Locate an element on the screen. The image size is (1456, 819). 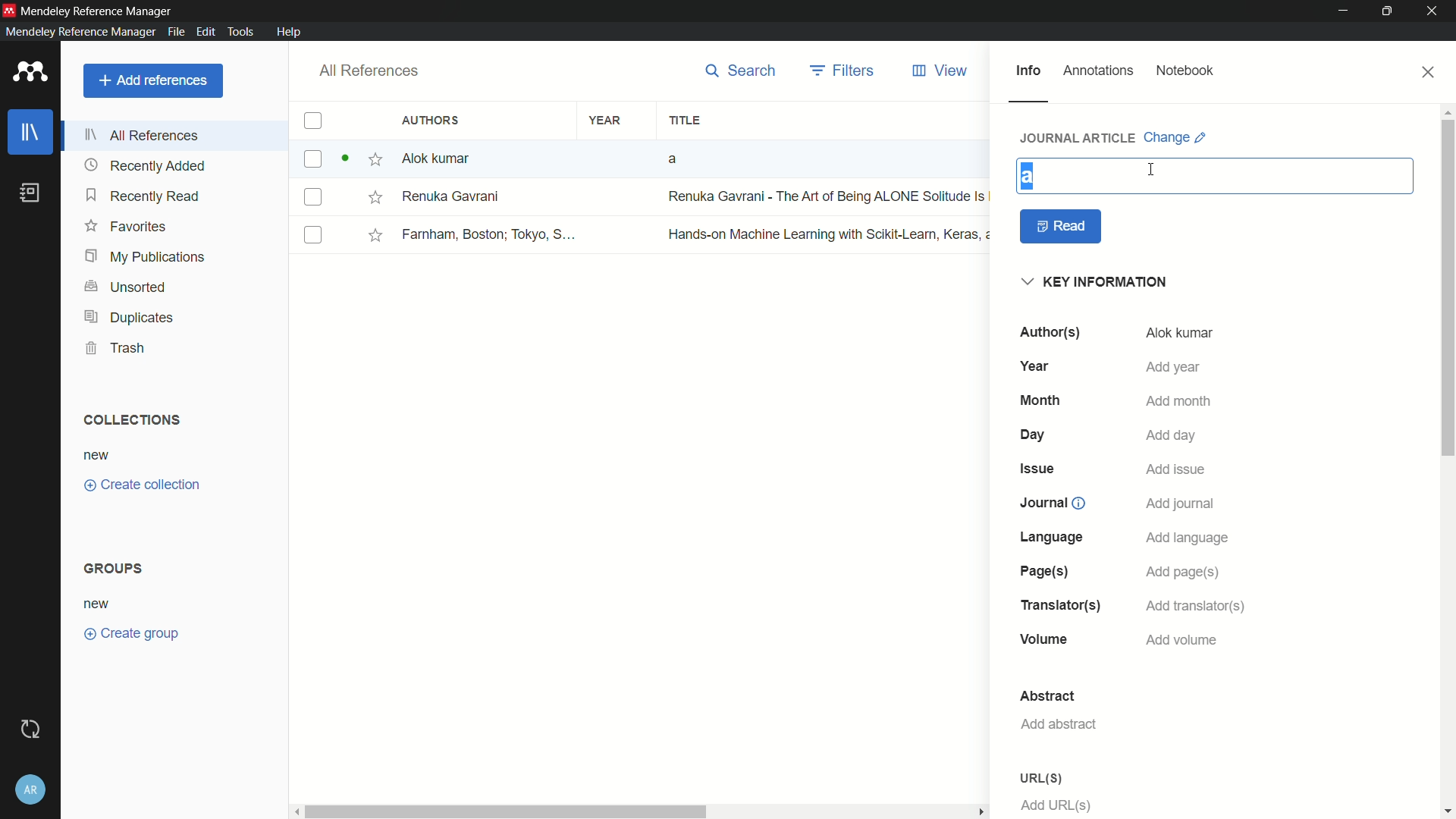
filters is located at coordinates (844, 71).